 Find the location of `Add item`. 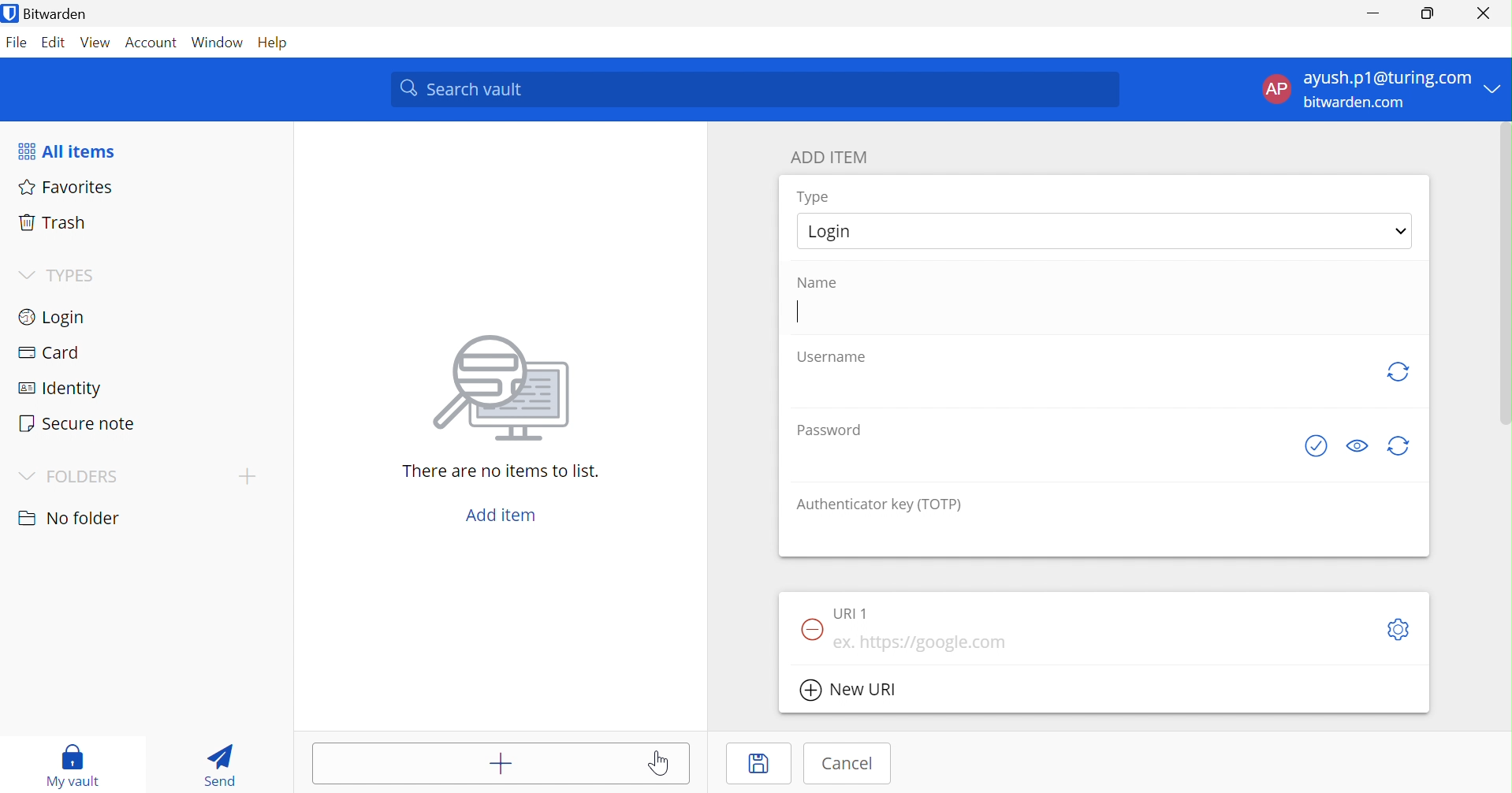

Add item is located at coordinates (505, 516).